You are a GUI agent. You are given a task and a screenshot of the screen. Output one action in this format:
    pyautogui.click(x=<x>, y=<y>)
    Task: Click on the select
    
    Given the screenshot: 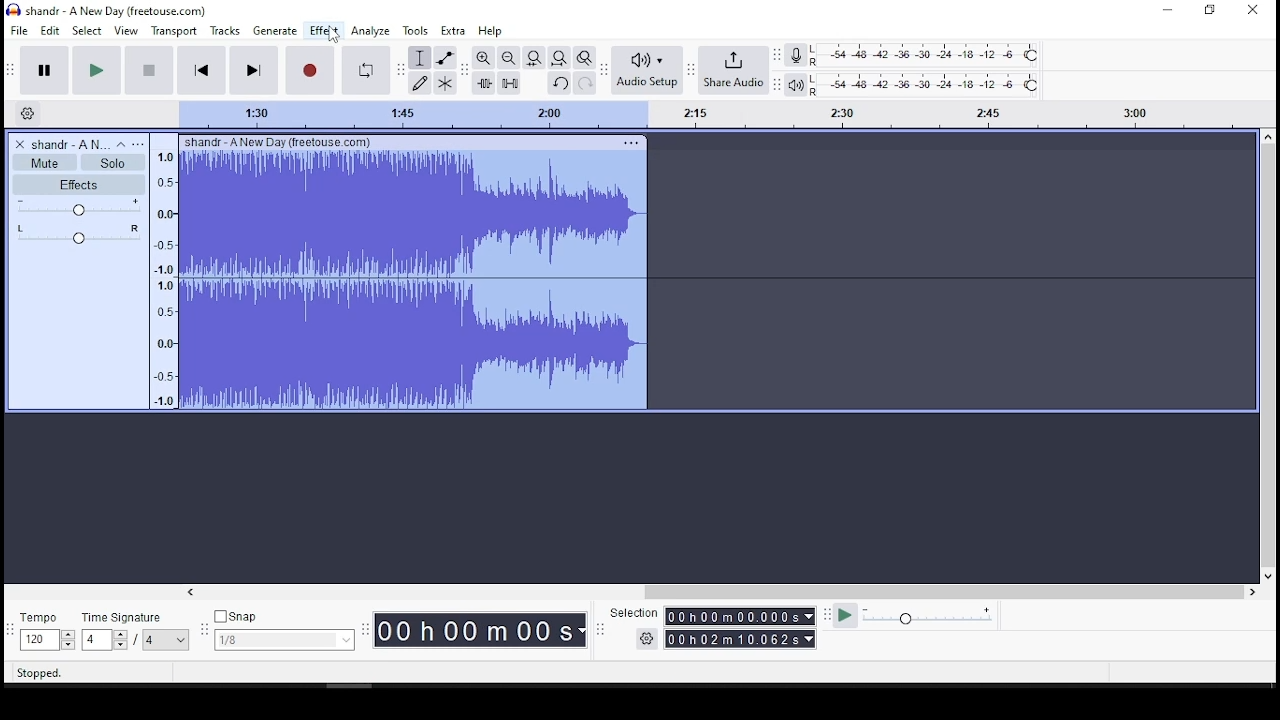 What is the action you would take?
    pyautogui.click(x=88, y=31)
    